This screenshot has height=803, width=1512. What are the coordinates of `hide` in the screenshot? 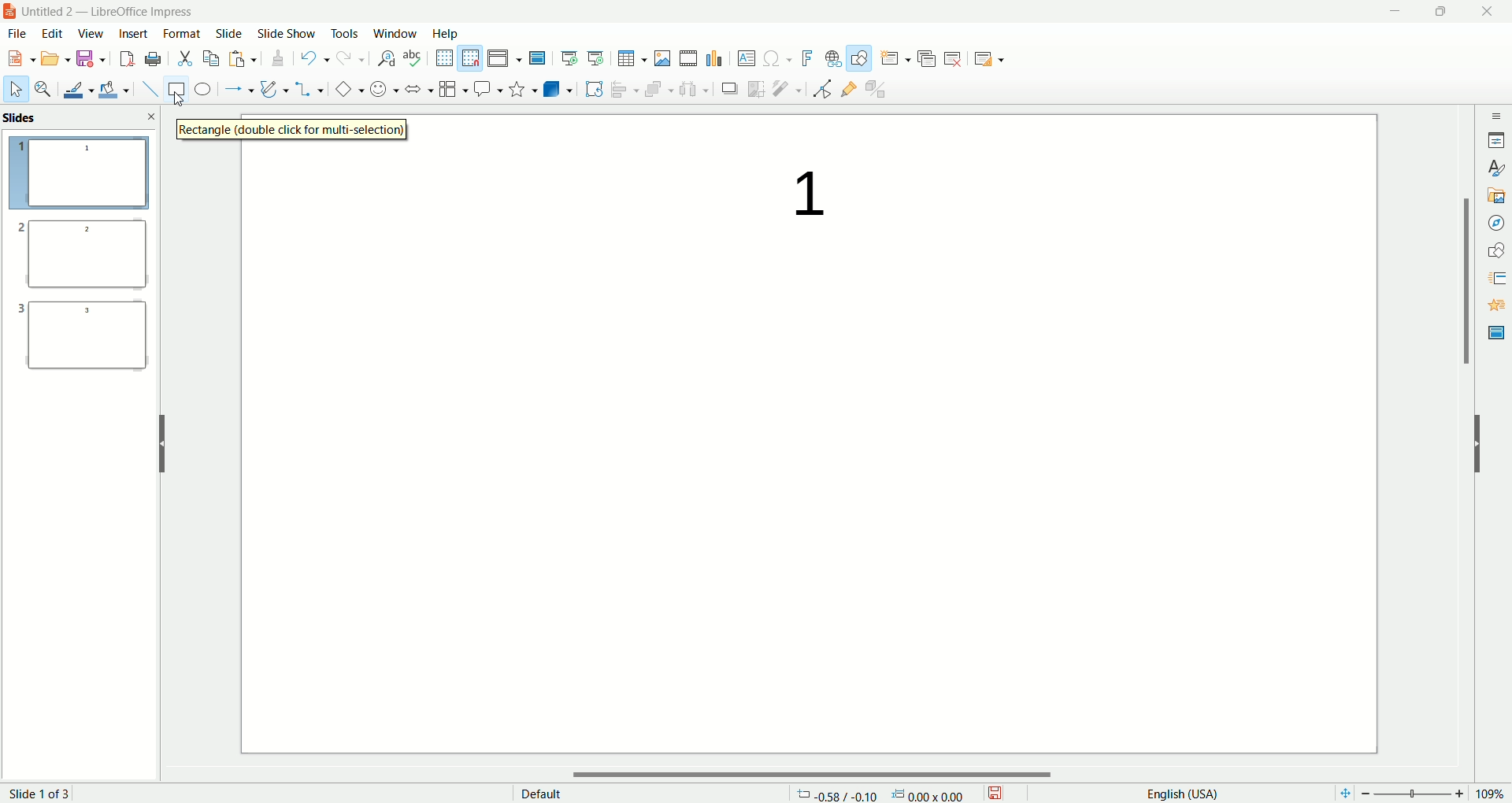 It's located at (161, 441).